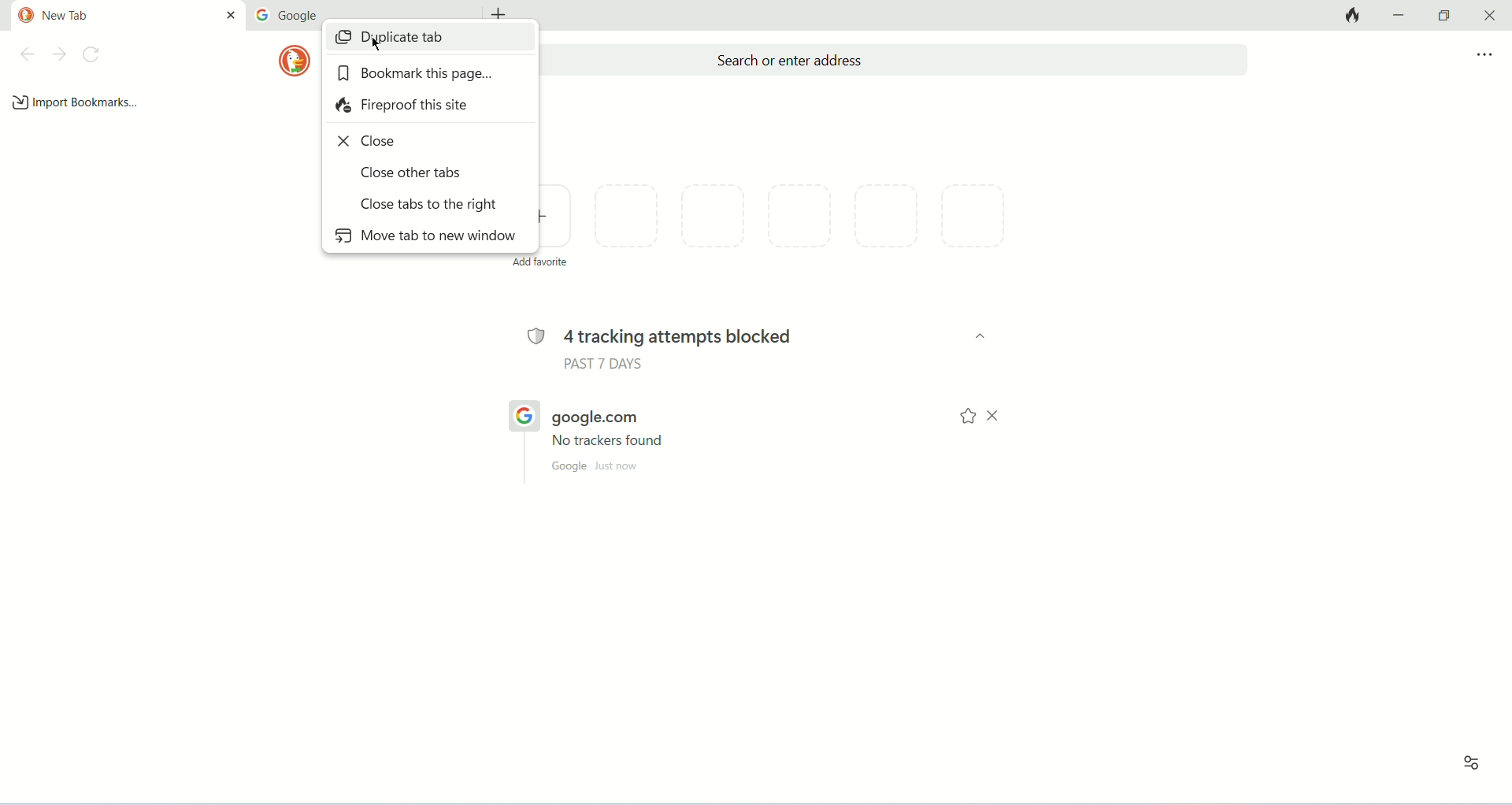  I want to click on next, so click(57, 55).